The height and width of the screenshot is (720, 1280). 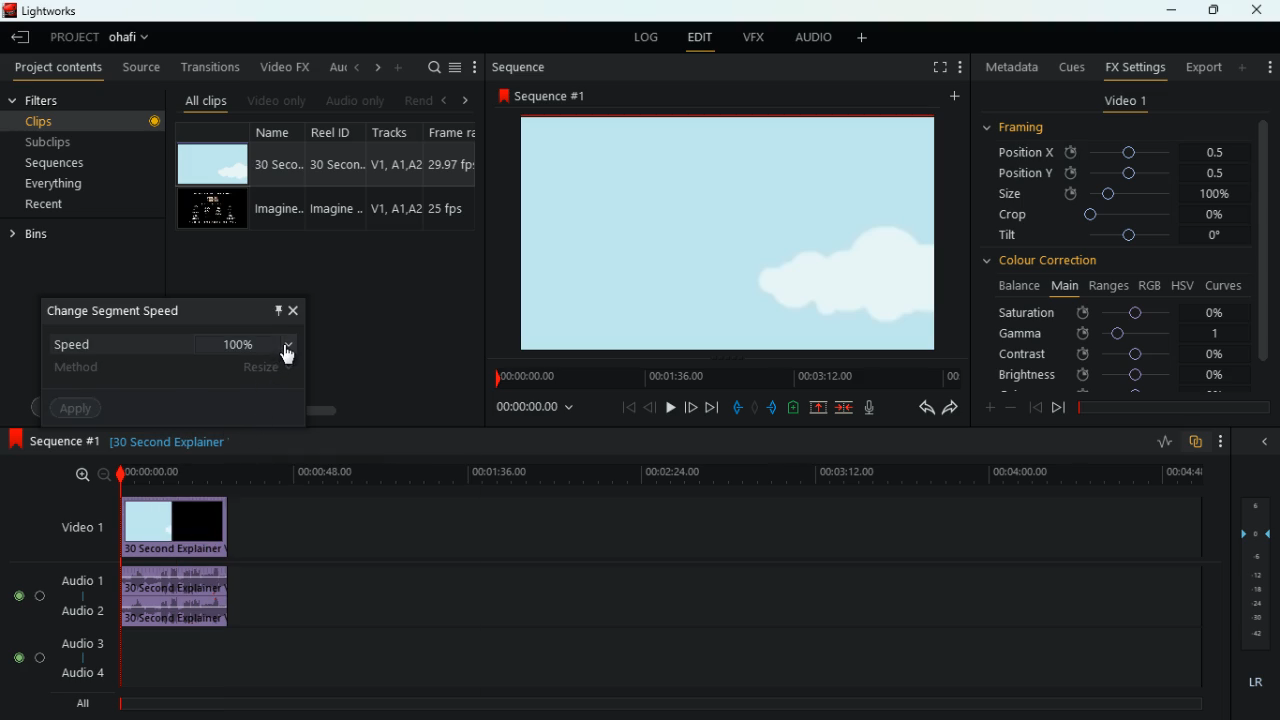 I want to click on more, so click(x=960, y=67).